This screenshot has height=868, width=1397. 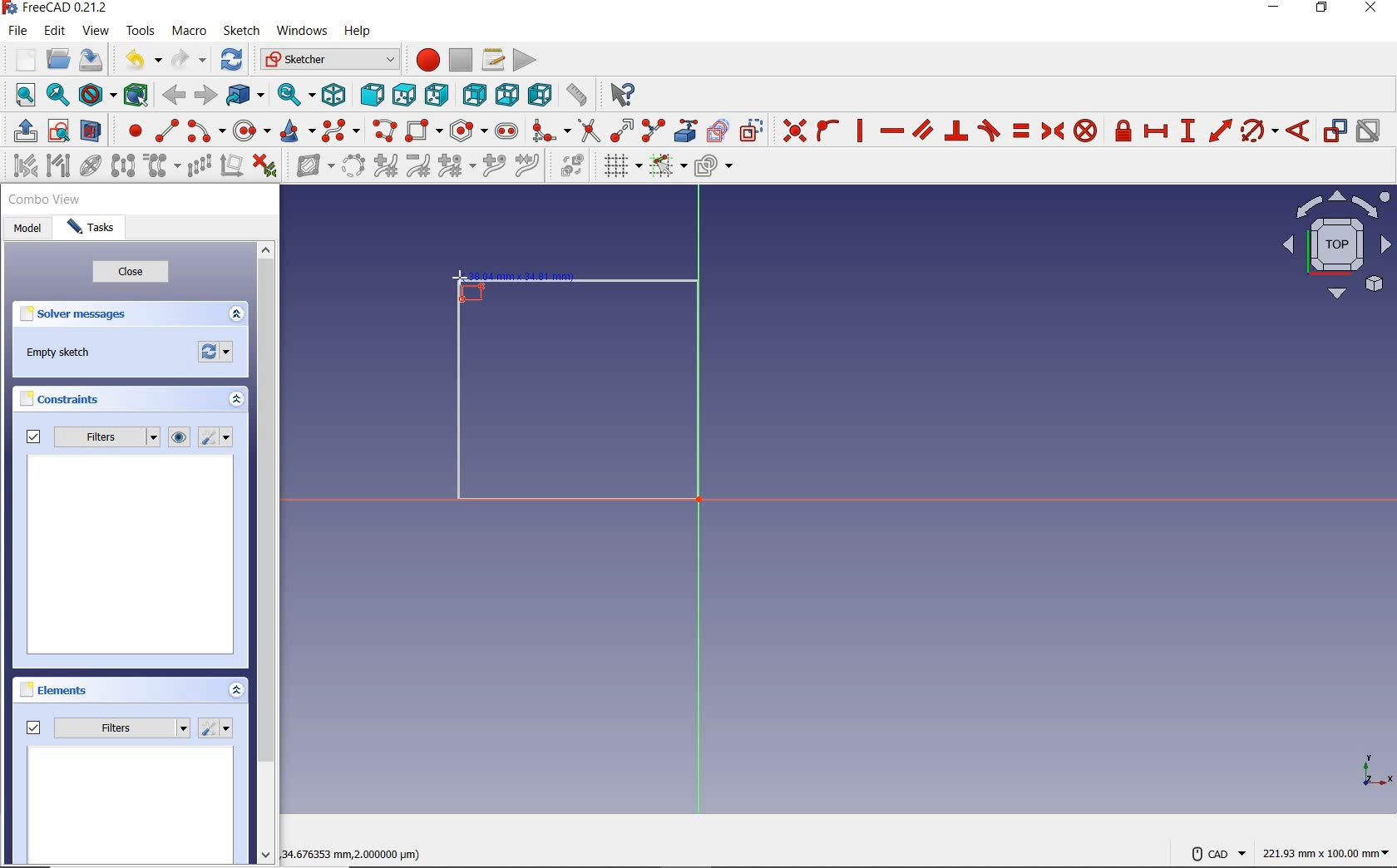 I want to click on create circle, so click(x=252, y=131).